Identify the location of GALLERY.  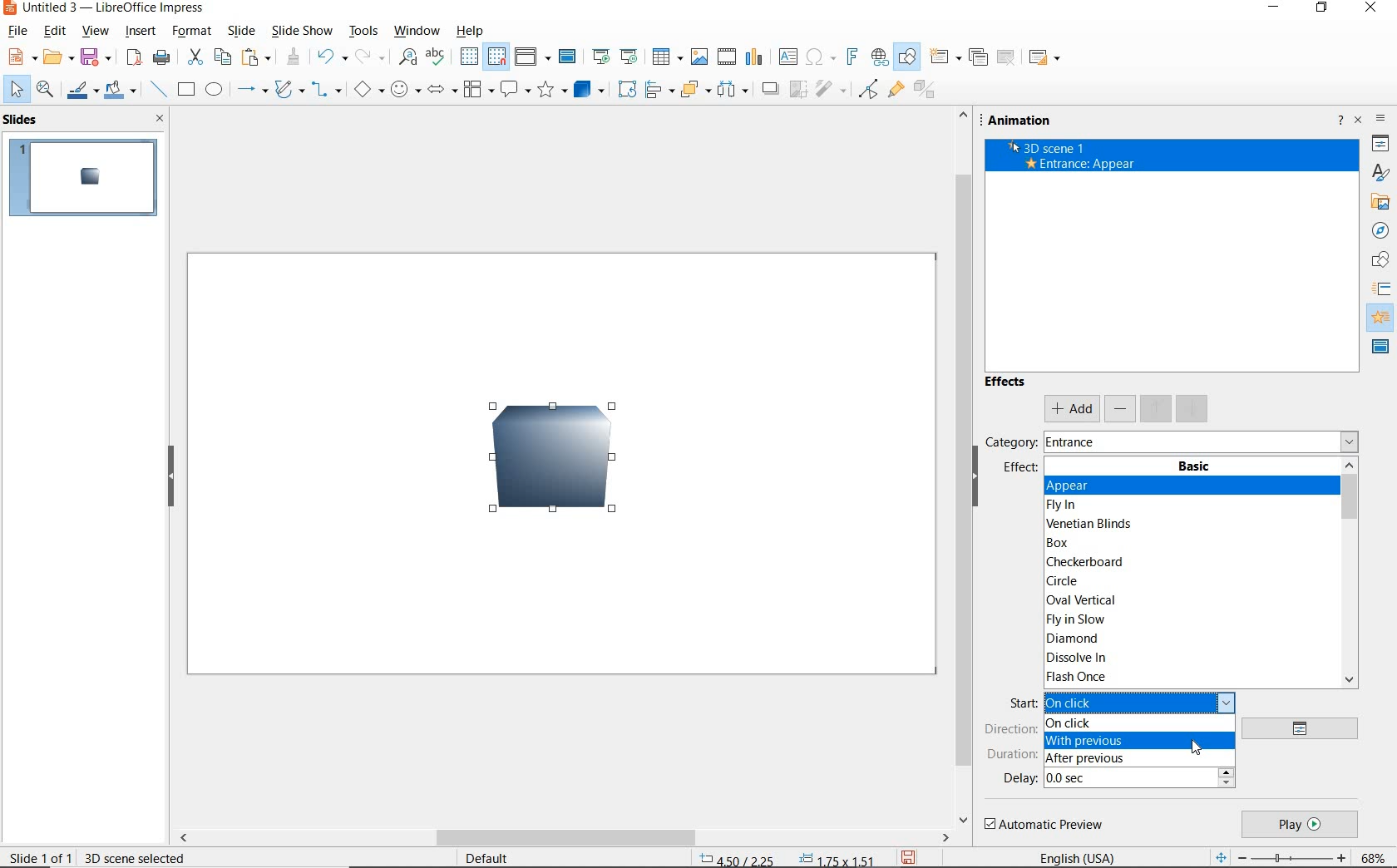
(1380, 204).